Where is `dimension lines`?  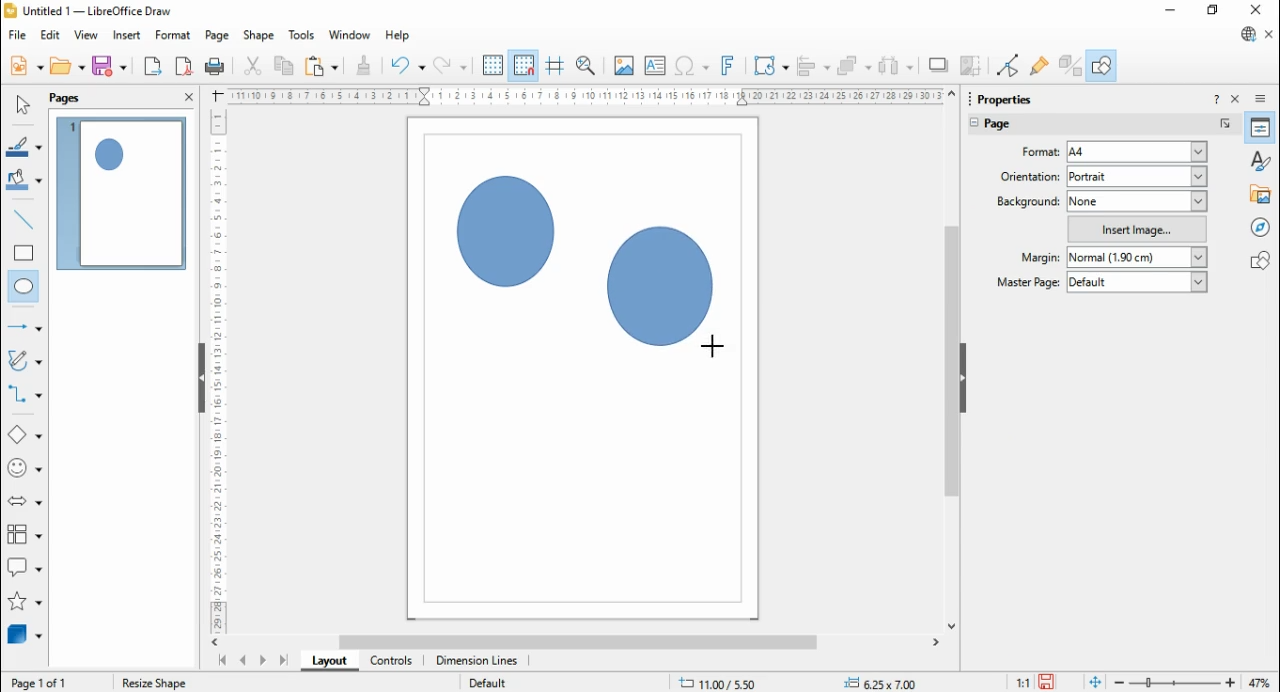
dimension lines is located at coordinates (478, 661).